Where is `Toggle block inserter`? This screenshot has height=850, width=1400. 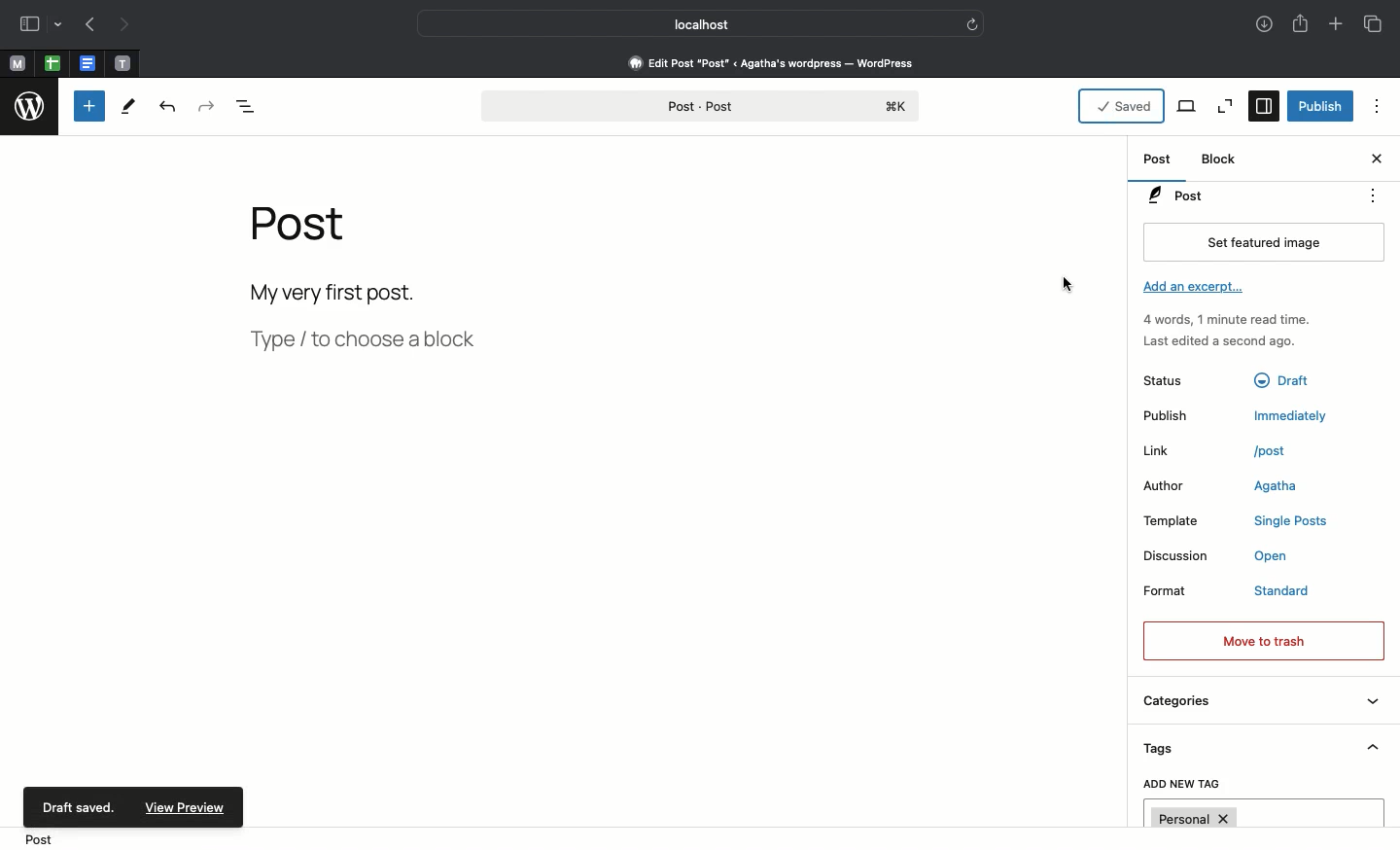 Toggle block inserter is located at coordinates (87, 106).